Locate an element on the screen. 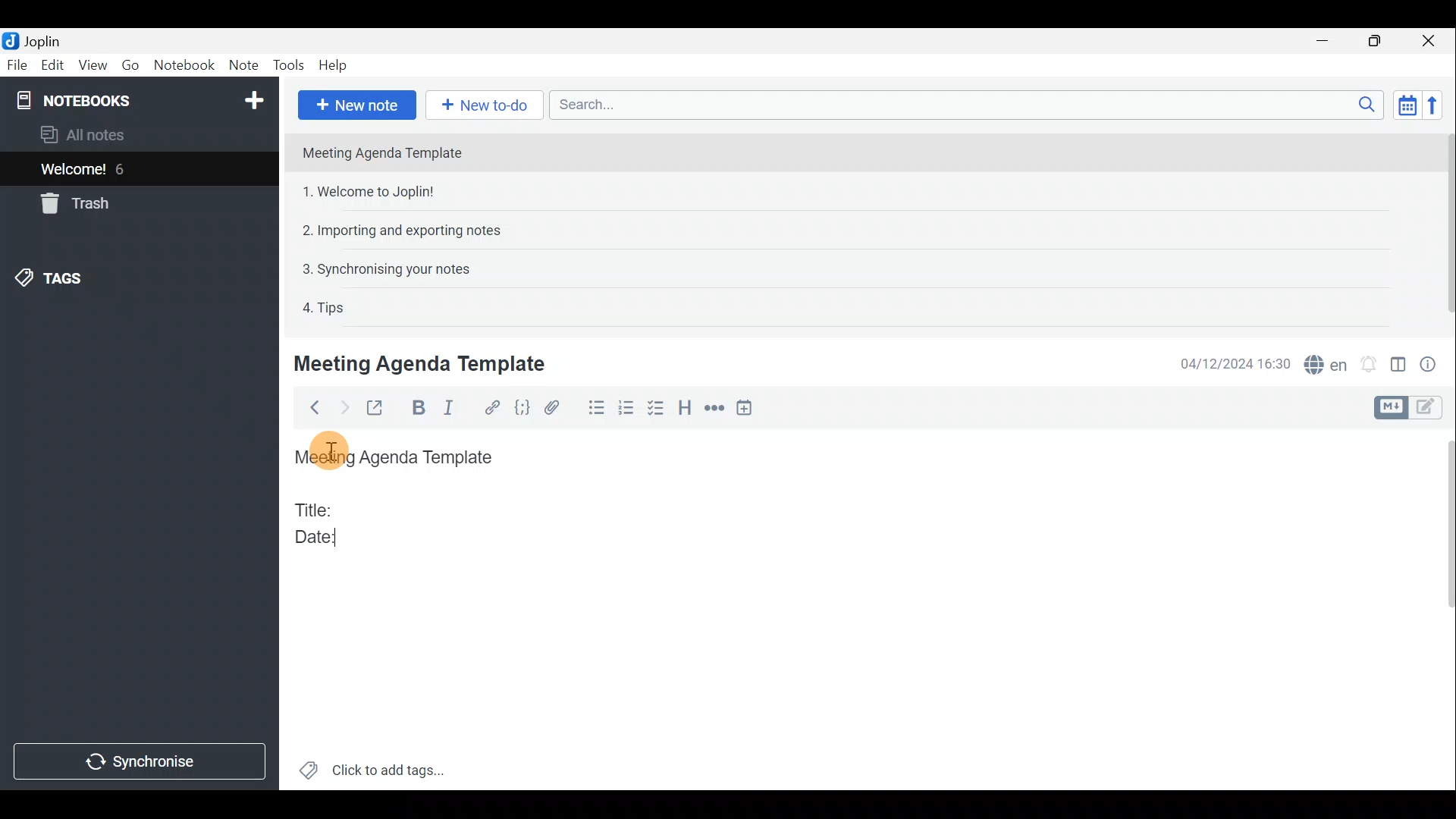  2. Importing and exporting notes is located at coordinates (407, 231).